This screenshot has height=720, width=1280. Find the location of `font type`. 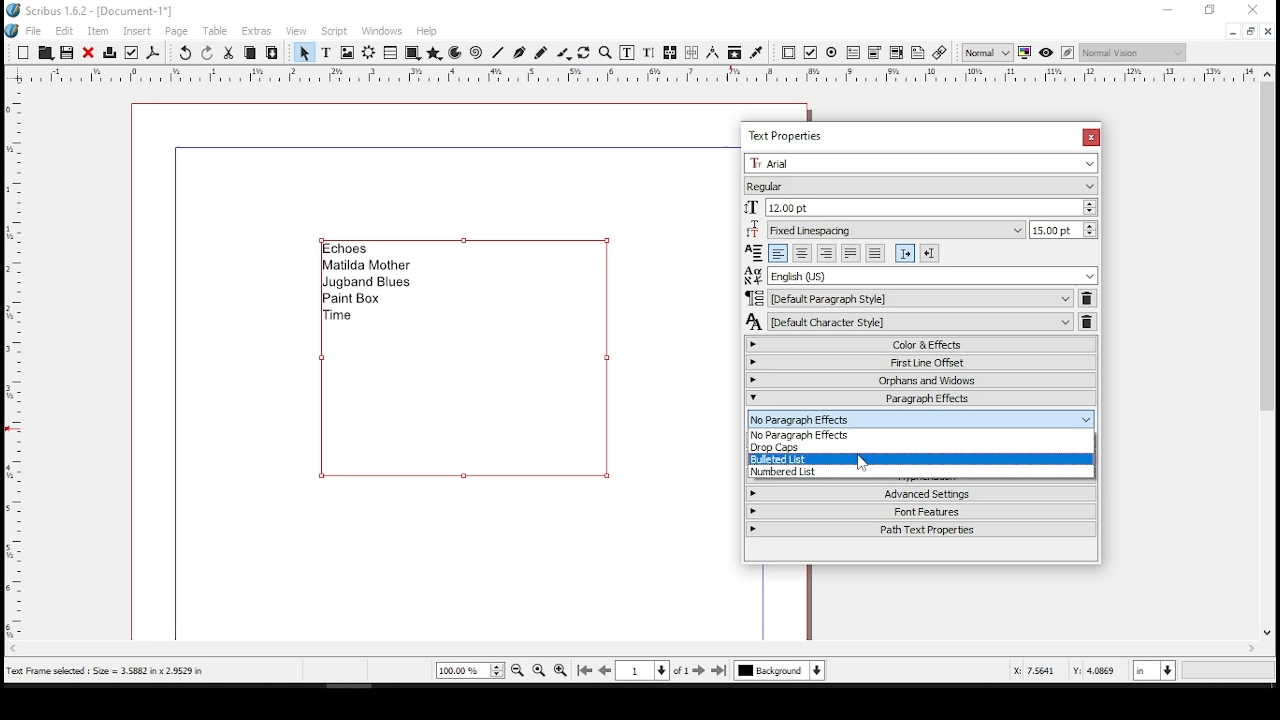

font type is located at coordinates (918, 186).